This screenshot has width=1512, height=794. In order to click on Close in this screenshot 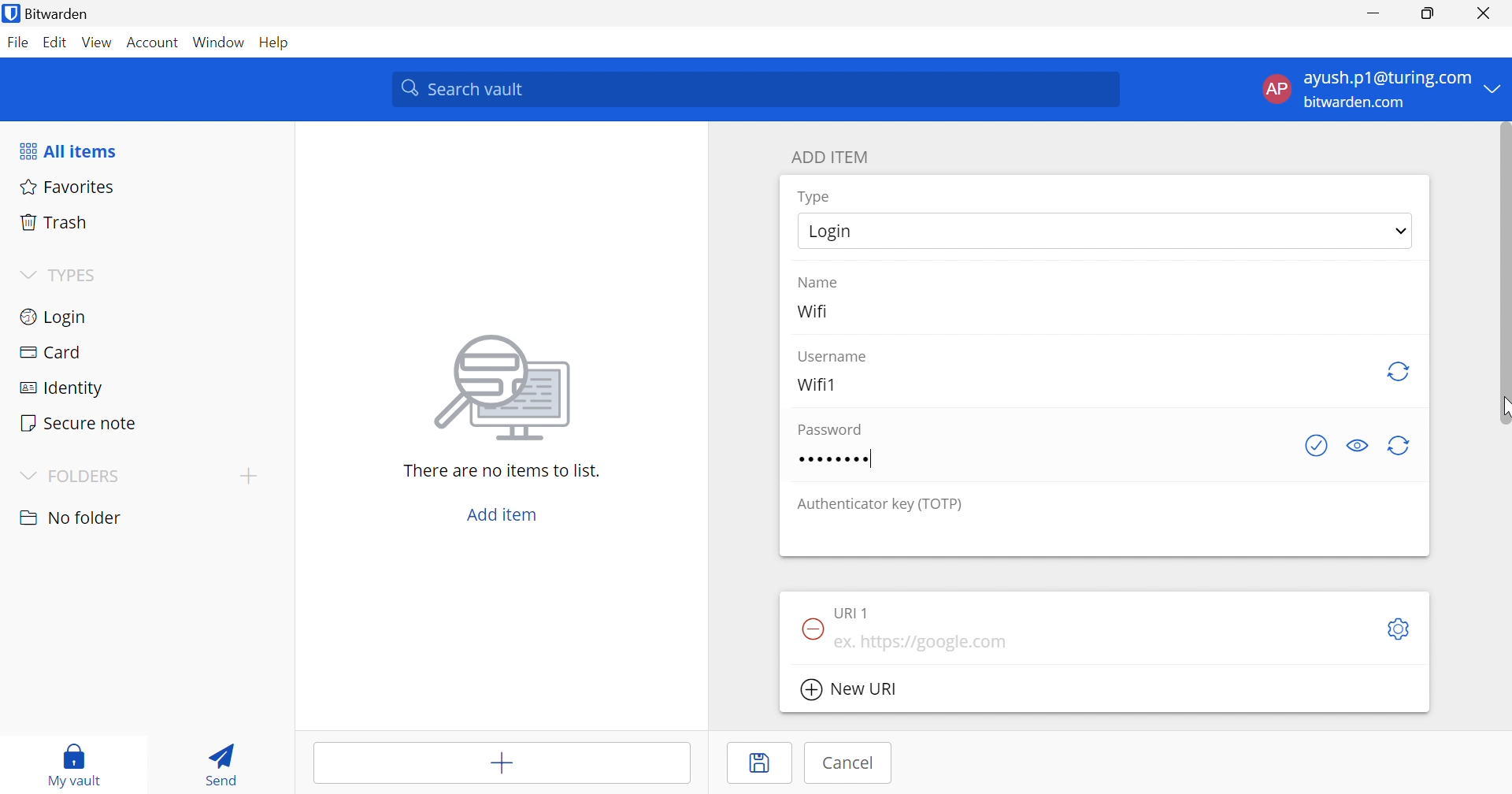, I will do `click(1487, 13)`.